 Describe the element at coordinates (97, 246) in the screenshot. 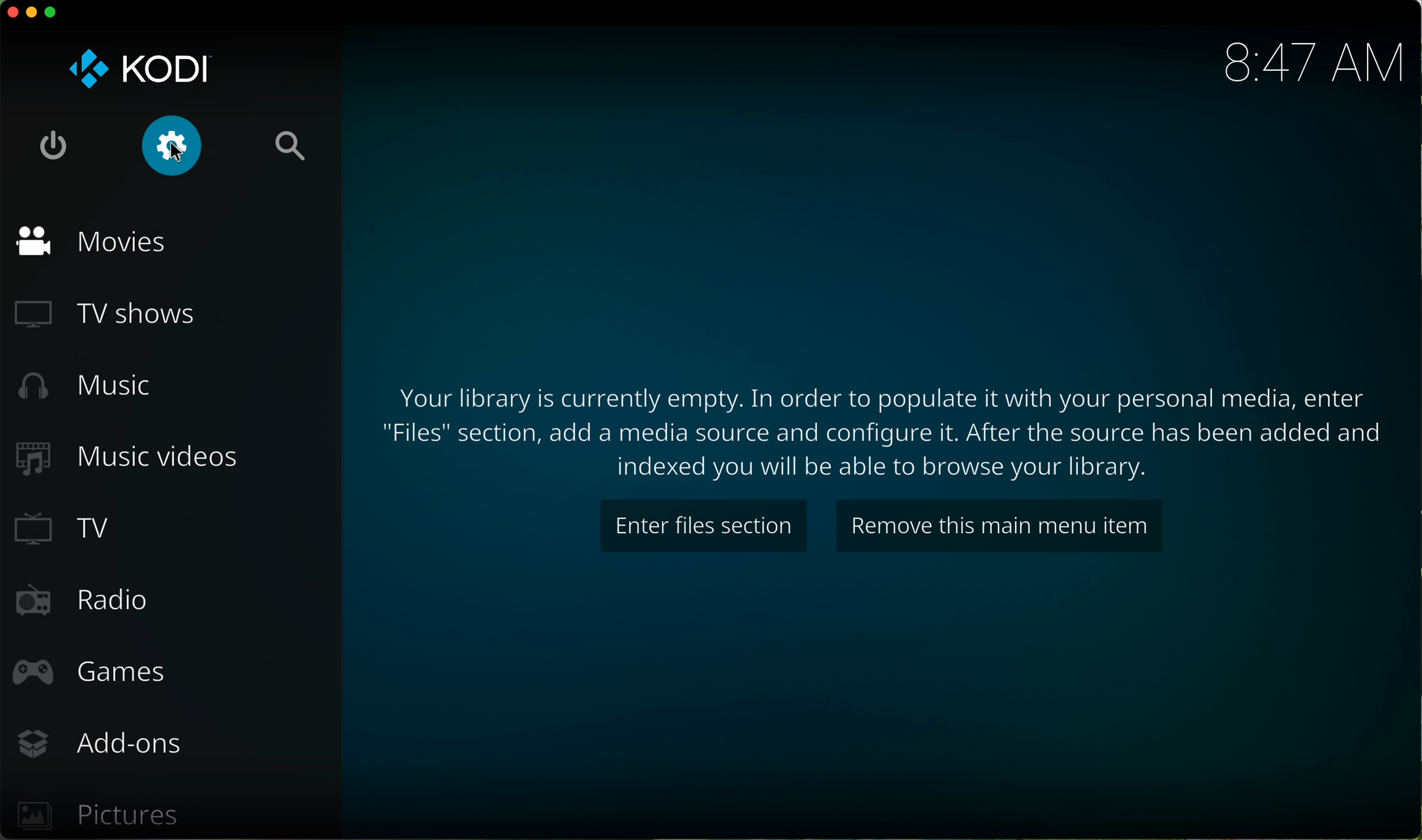

I see `movies` at that location.